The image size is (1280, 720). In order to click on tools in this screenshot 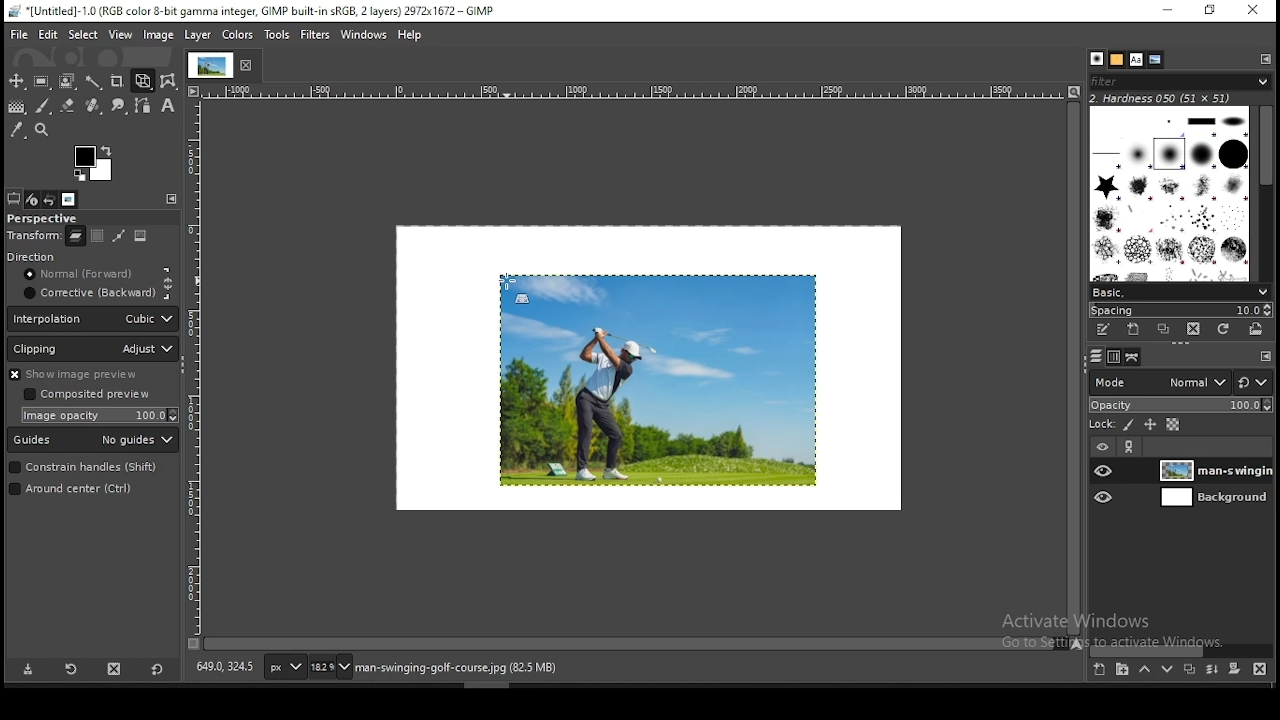, I will do `click(277, 32)`.